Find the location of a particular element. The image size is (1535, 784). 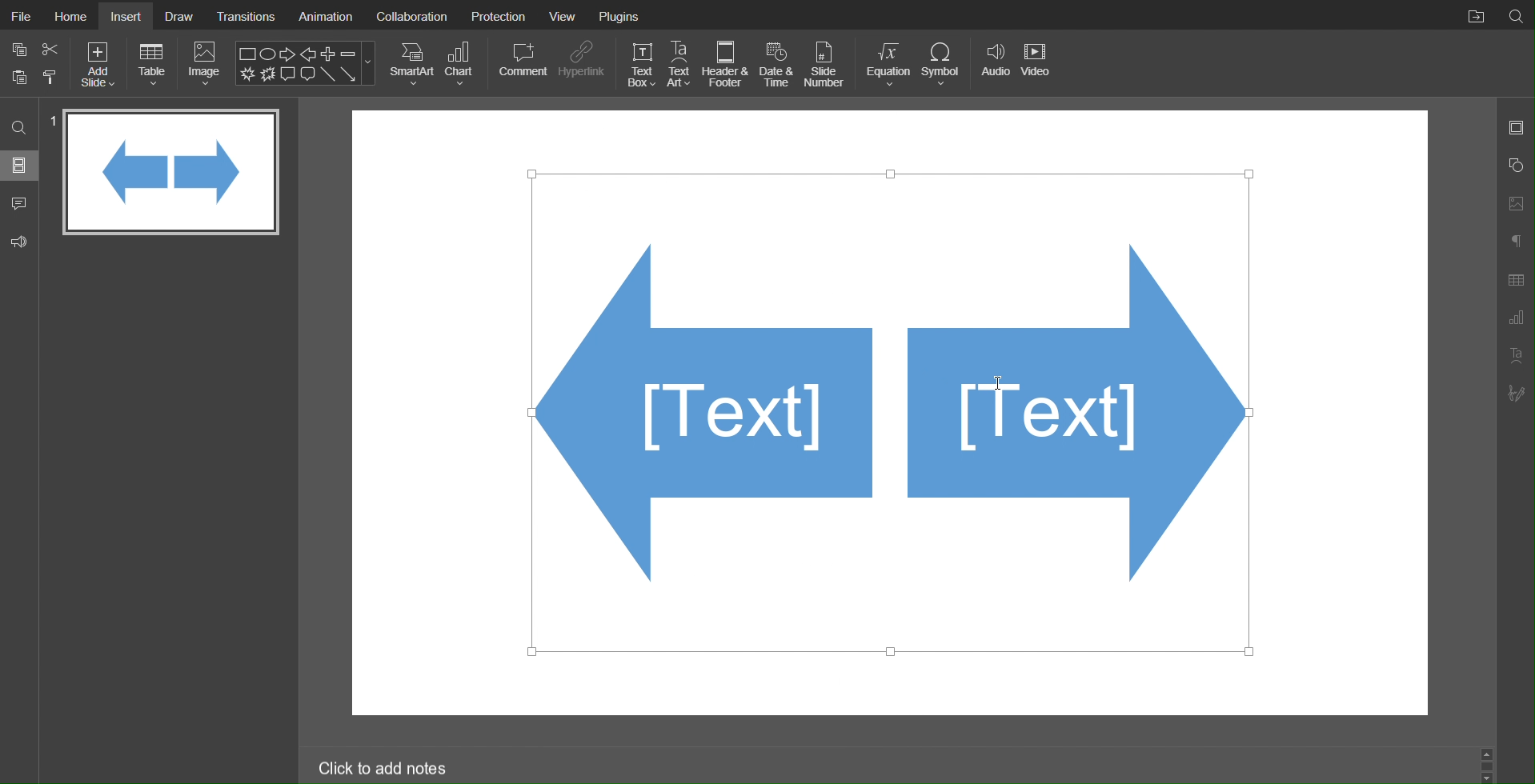

Equation is located at coordinates (886, 64).